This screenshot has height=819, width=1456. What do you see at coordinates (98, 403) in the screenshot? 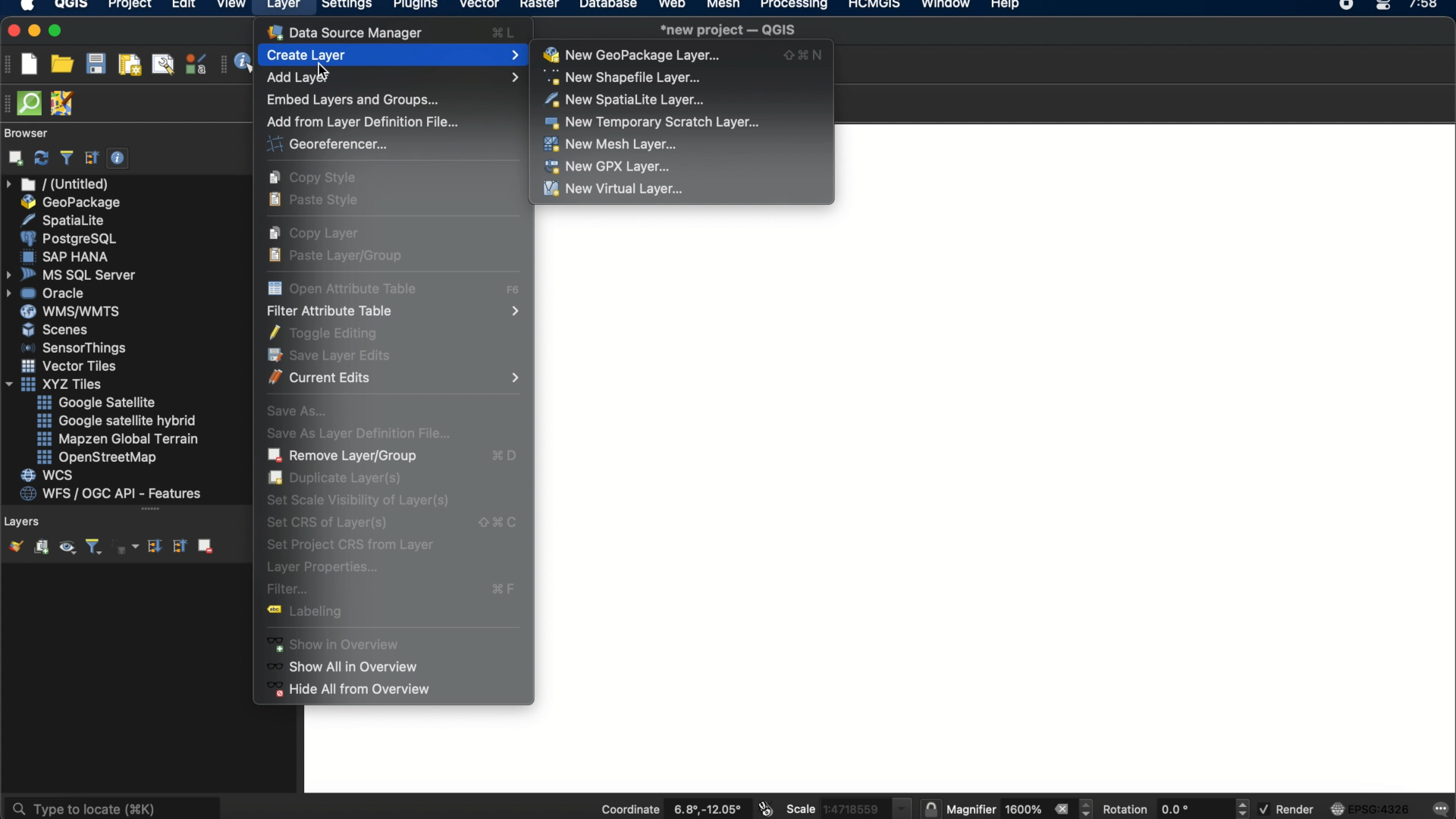
I see `google satellite` at bounding box center [98, 403].